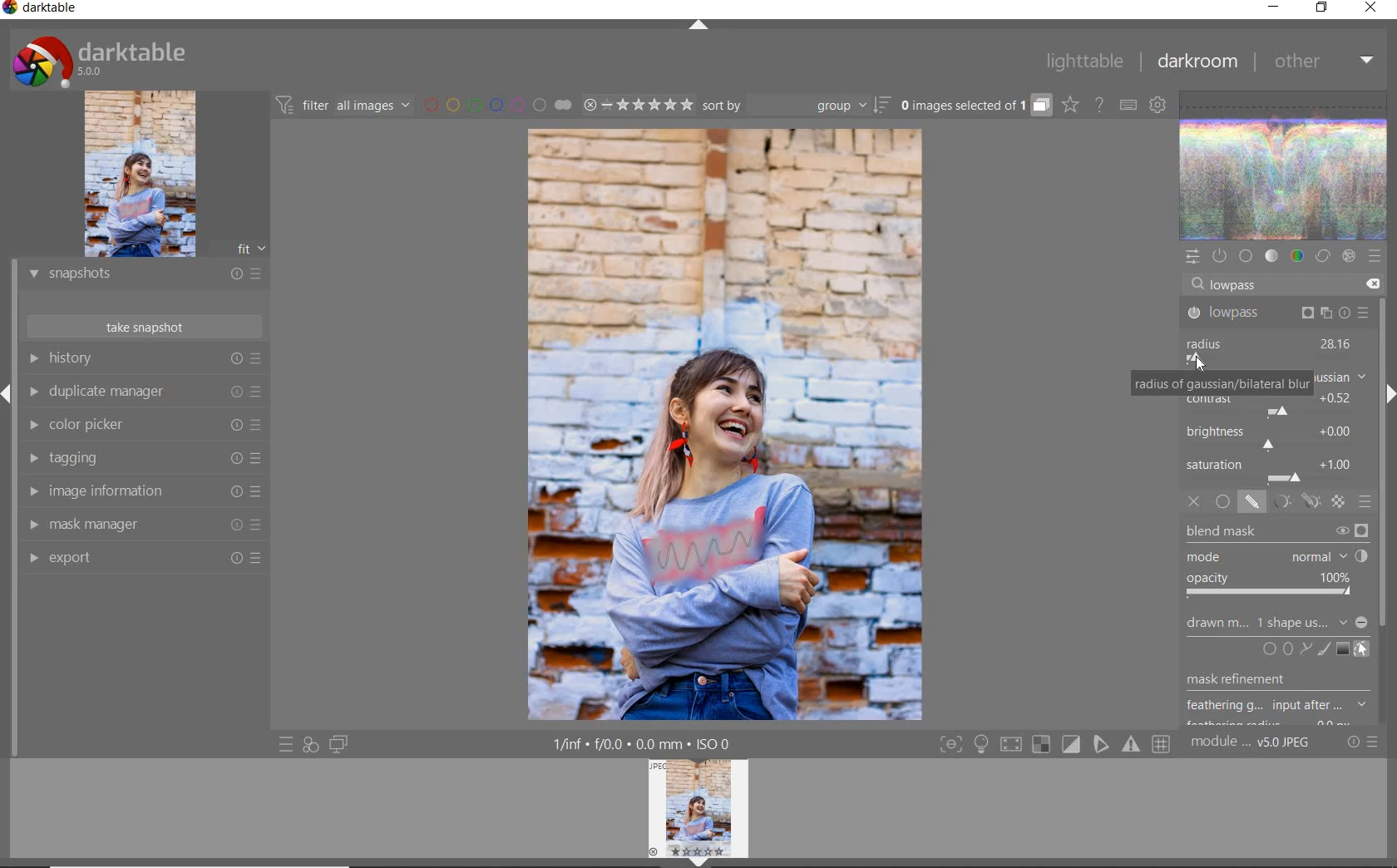 This screenshot has height=868, width=1397. Describe the element at coordinates (146, 393) in the screenshot. I see `duplicate manager` at that location.